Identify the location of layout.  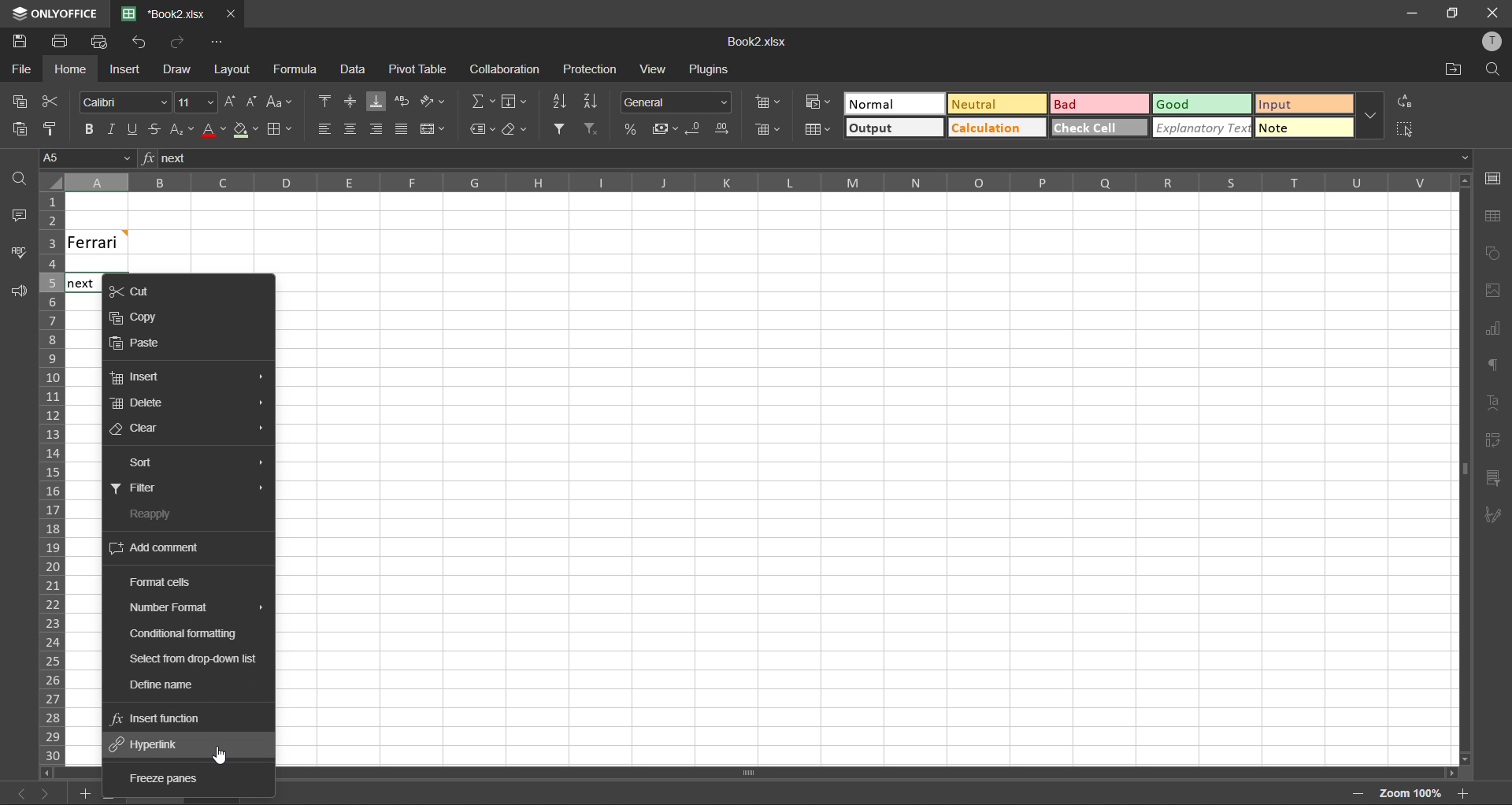
(229, 69).